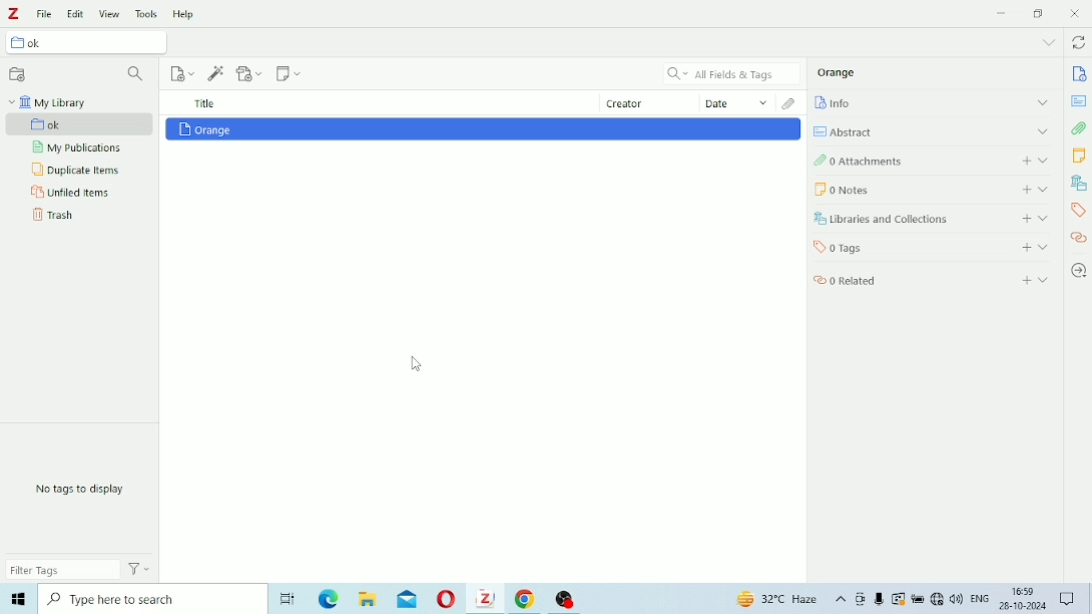  Describe the element at coordinates (251, 72) in the screenshot. I see `Add Attachment` at that location.